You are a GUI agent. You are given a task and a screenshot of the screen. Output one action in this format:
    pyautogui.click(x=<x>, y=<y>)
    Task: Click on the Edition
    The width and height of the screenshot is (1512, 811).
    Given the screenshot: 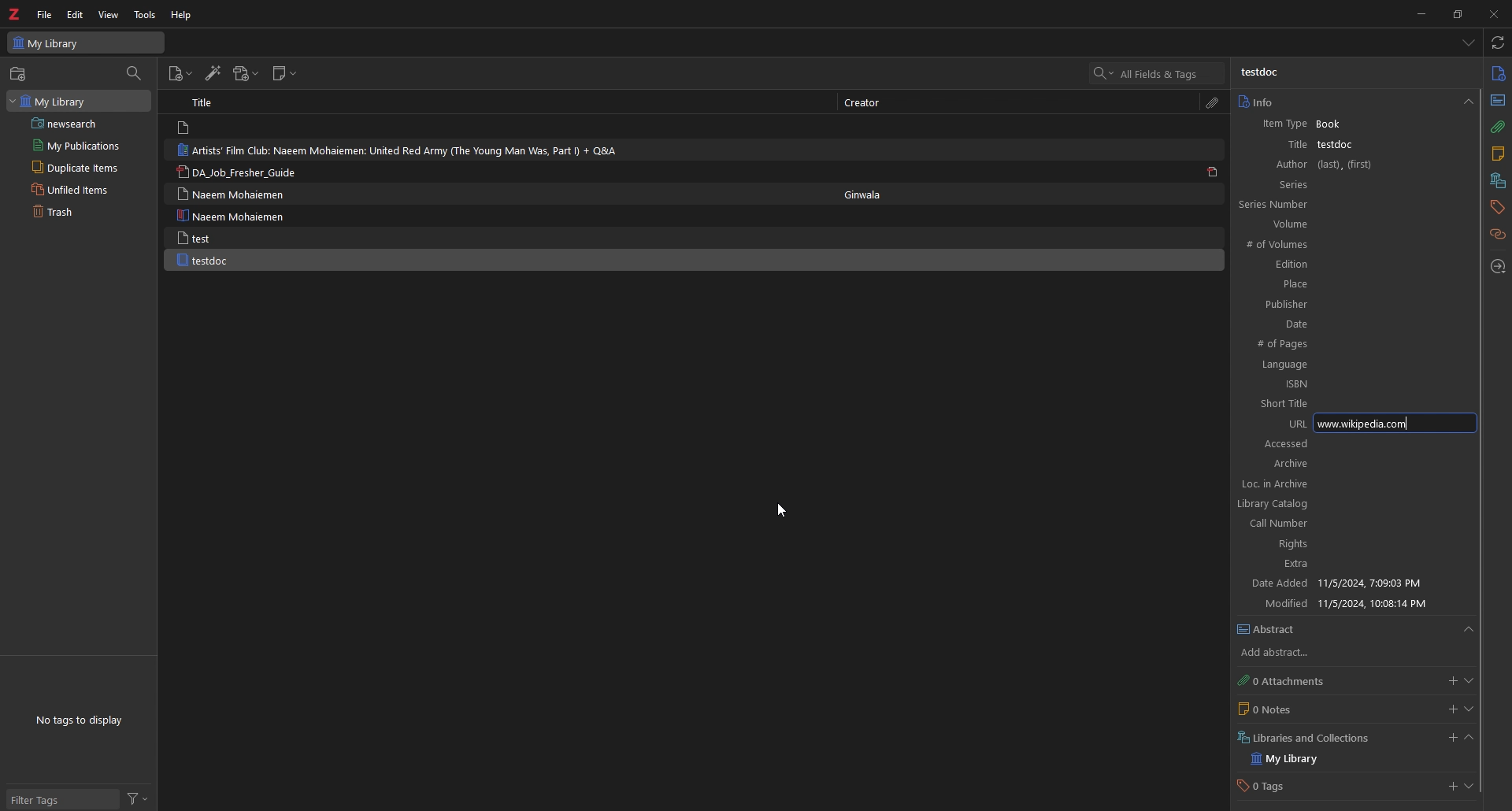 What is the action you would take?
    pyautogui.click(x=1326, y=265)
    